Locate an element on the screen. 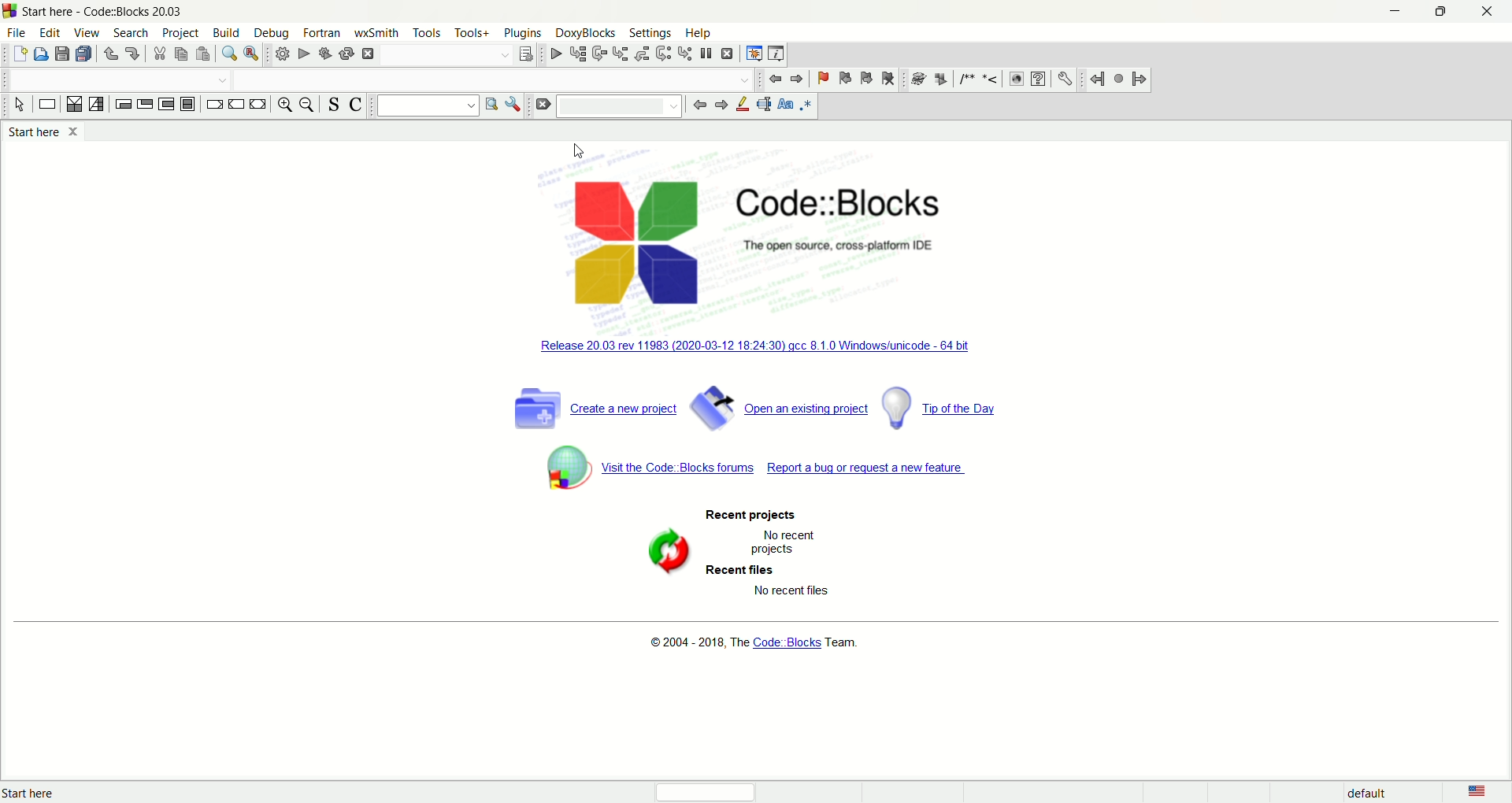  match case is located at coordinates (788, 104).